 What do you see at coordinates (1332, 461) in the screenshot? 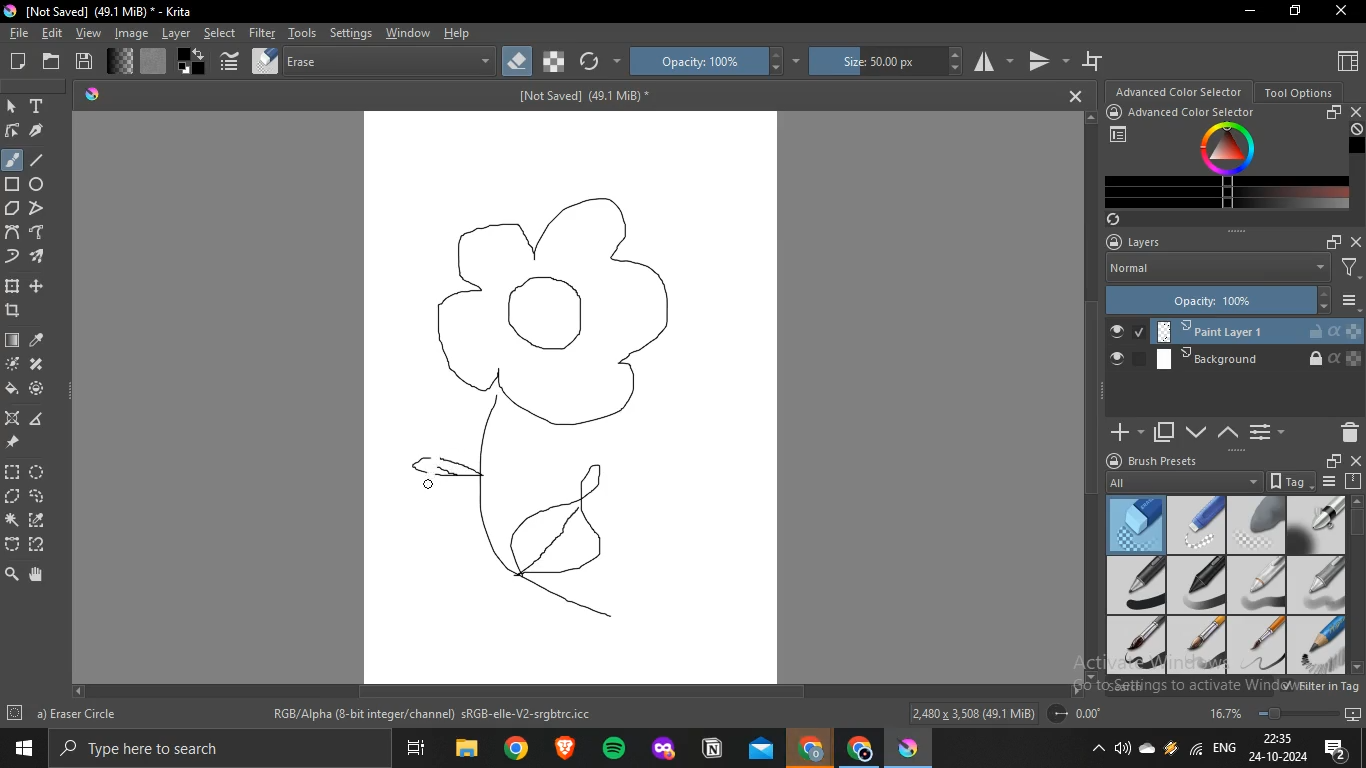
I see `floater window` at bounding box center [1332, 461].